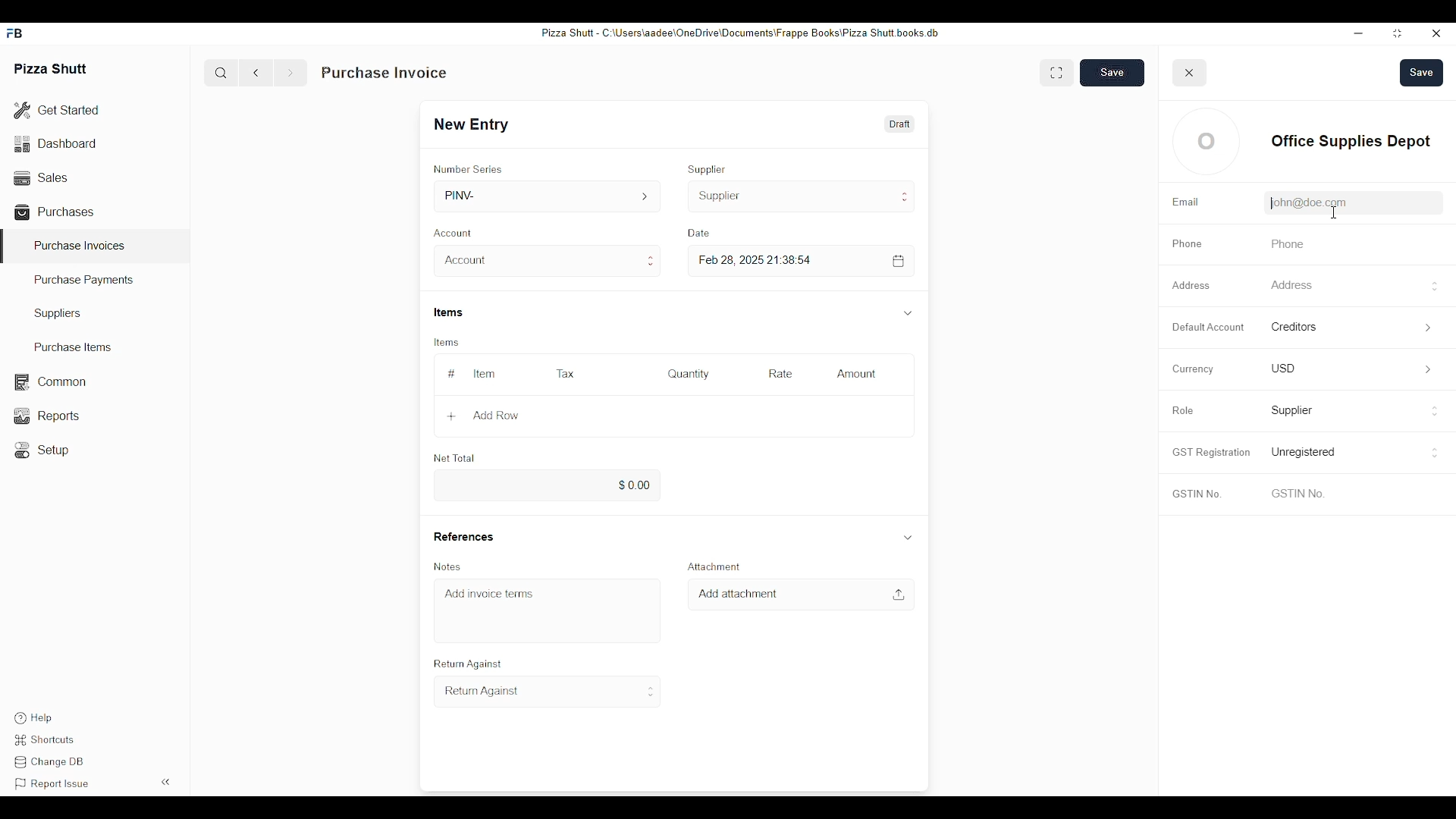 Image resolution: width=1456 pixels, height=819 pixels. Describe the element at coordinates (708, 169) in the screenshot. I see `Supplier` at that location.